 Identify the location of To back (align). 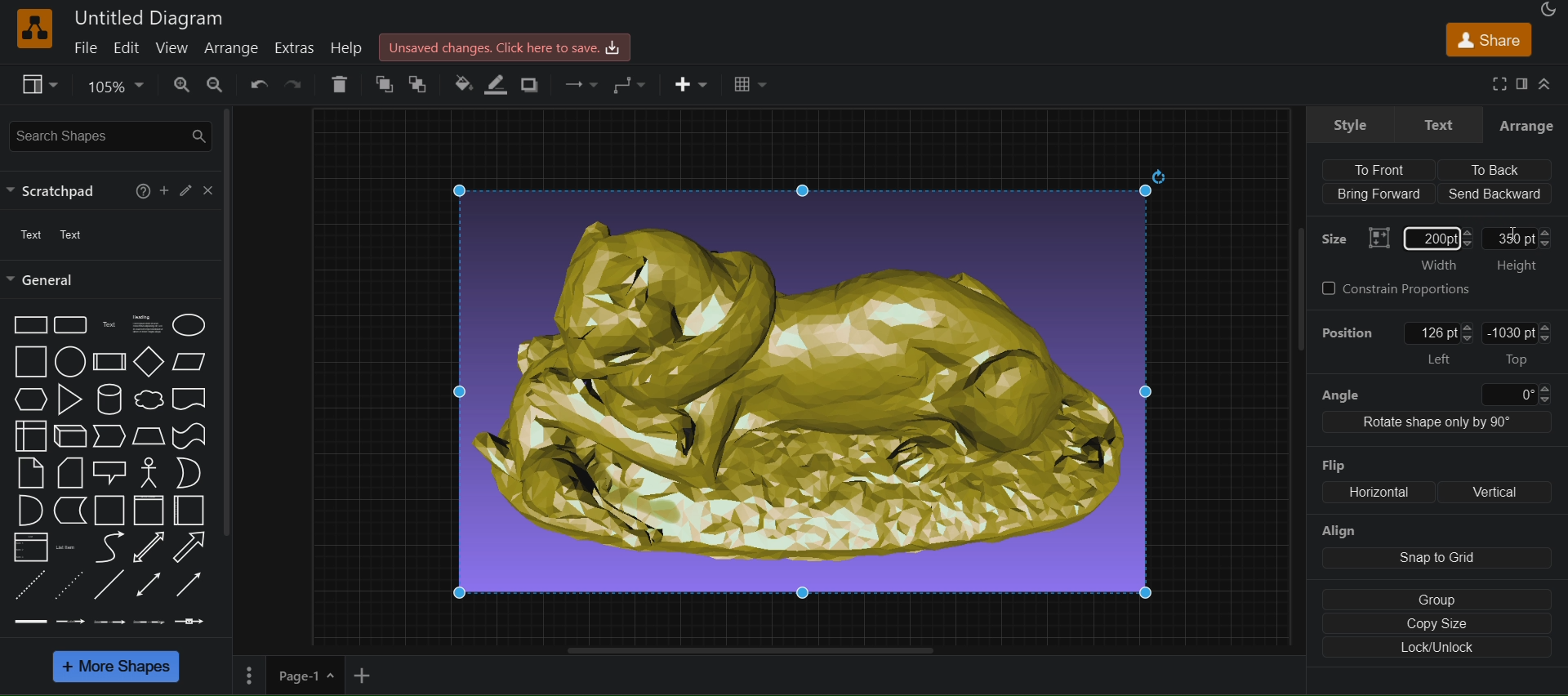
(1499, 170).